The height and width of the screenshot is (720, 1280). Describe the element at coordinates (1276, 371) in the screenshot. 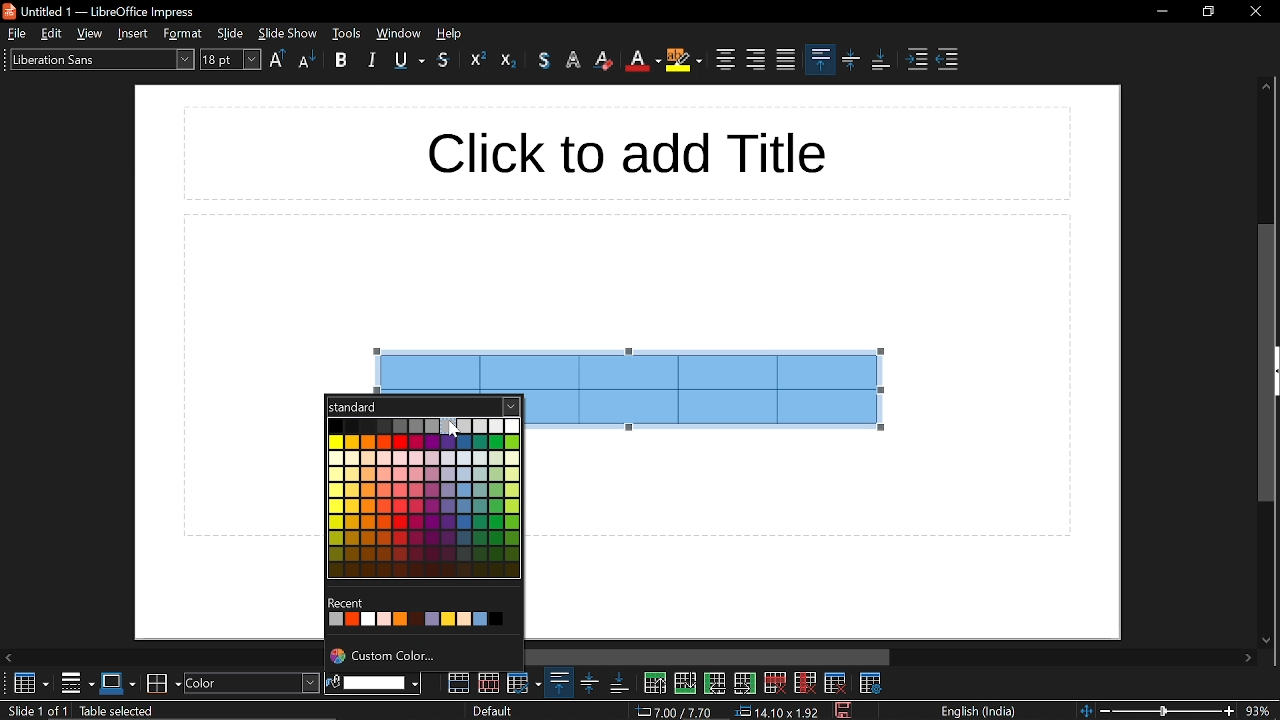

I see `expand sidebar` at that location.